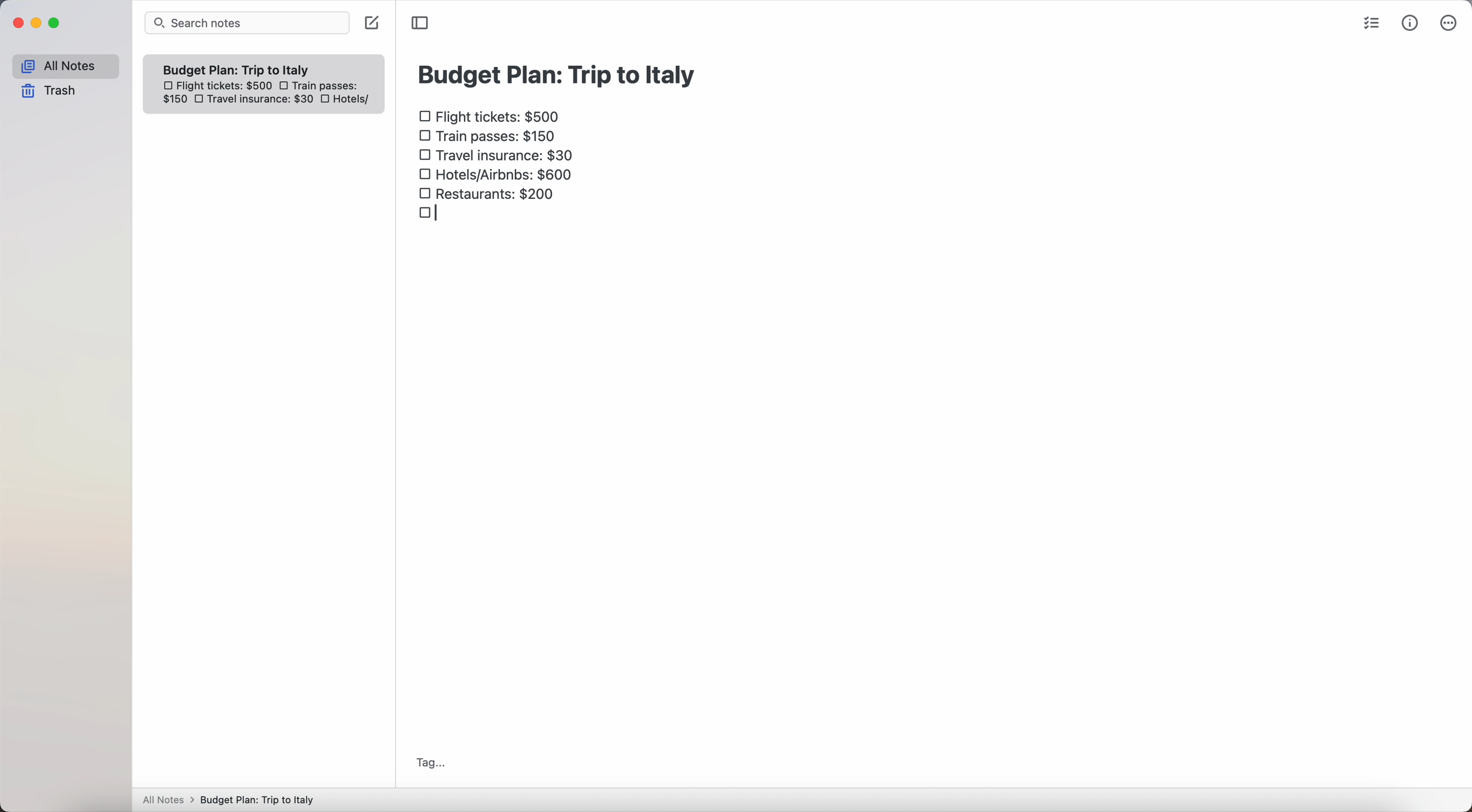 This screenshot has height=812, width=1472. What do you see at coordinates (217, 87) in the screenshot?
I see `flight tickets: $500` at bounding box center [217, 87].